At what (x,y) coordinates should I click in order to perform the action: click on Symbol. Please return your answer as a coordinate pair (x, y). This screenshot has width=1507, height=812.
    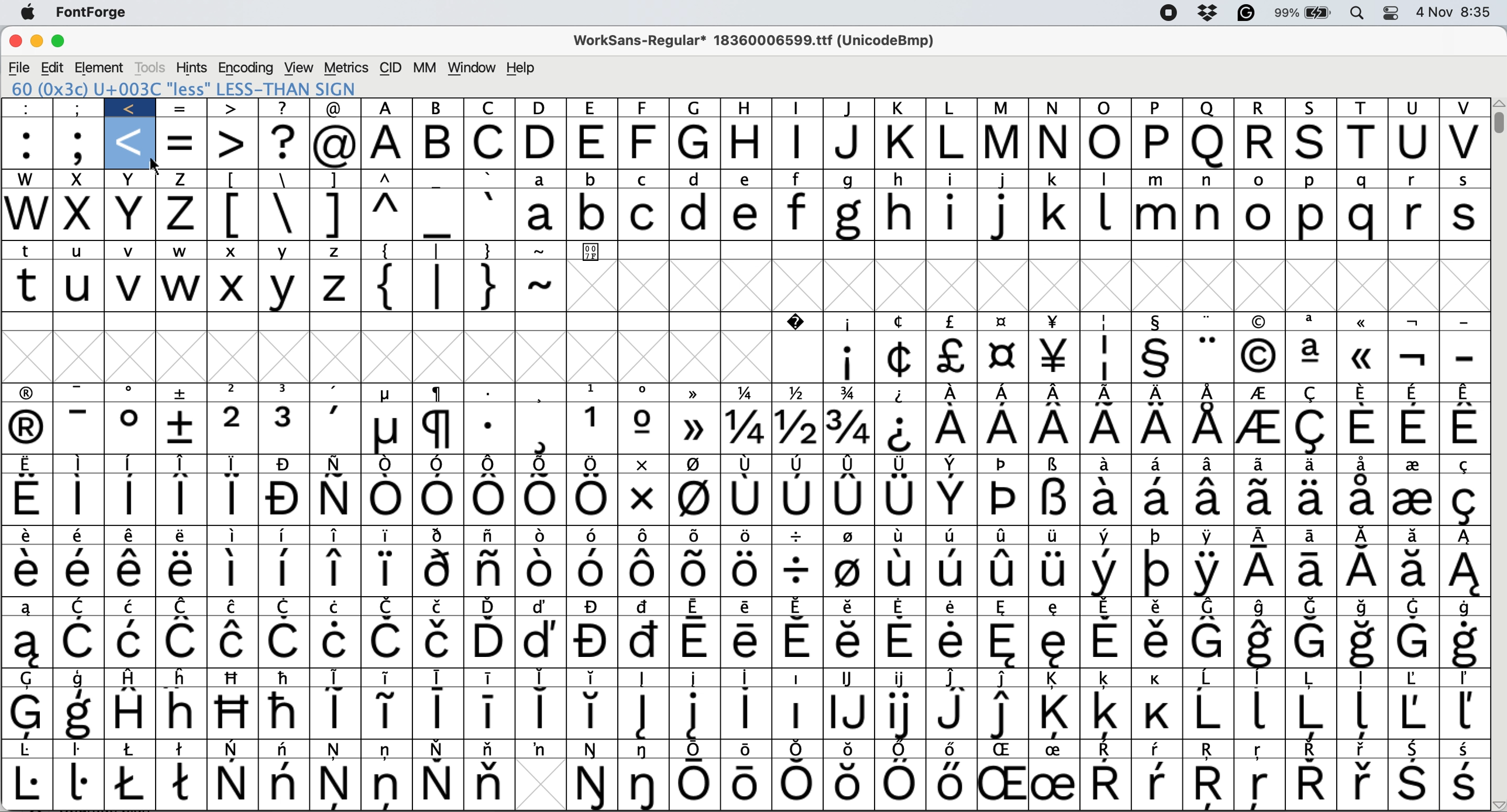
    Looking at the image, I should click on (847, 572).